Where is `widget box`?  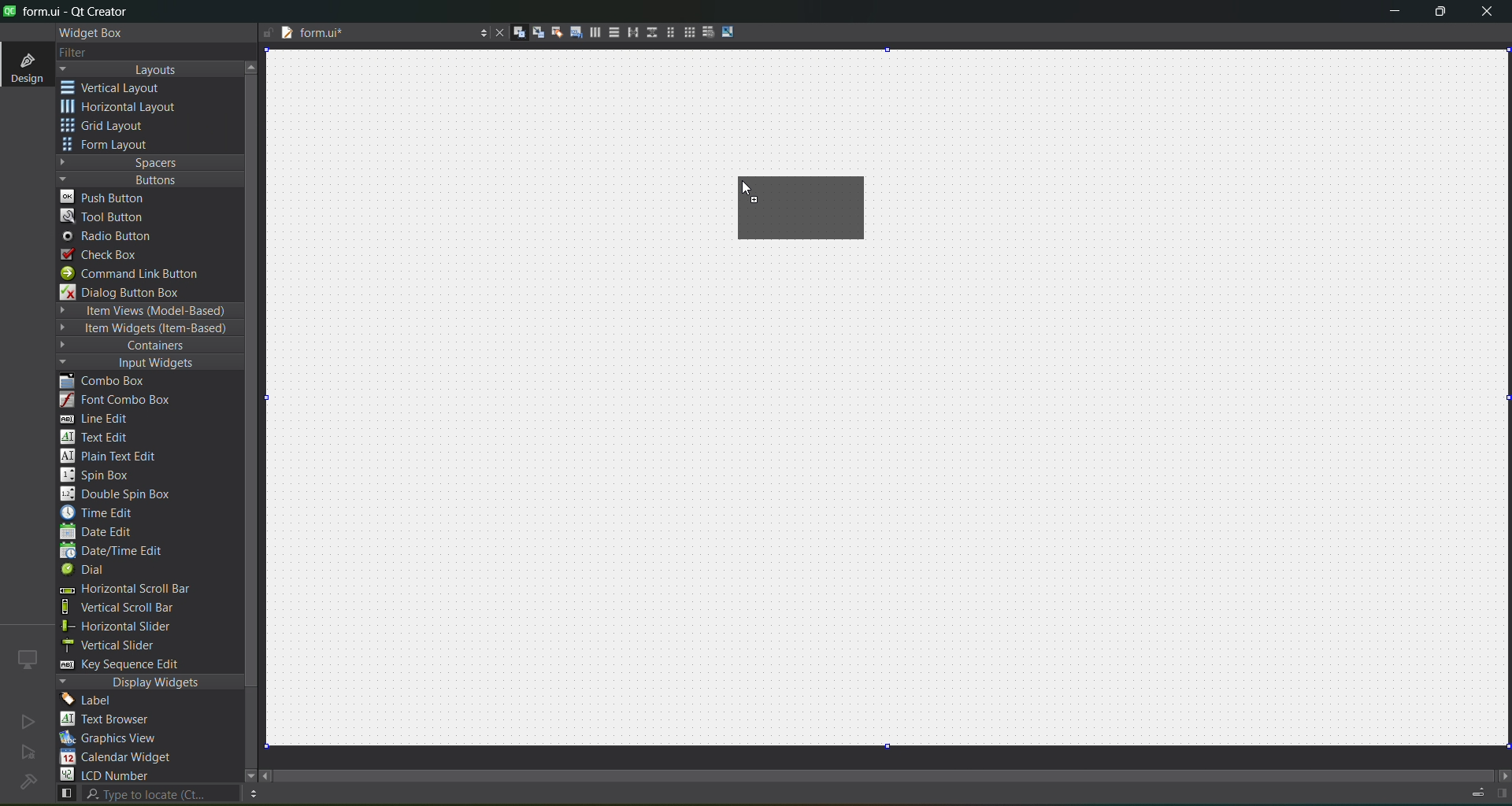 widget box is located at coordinates (94, 33).